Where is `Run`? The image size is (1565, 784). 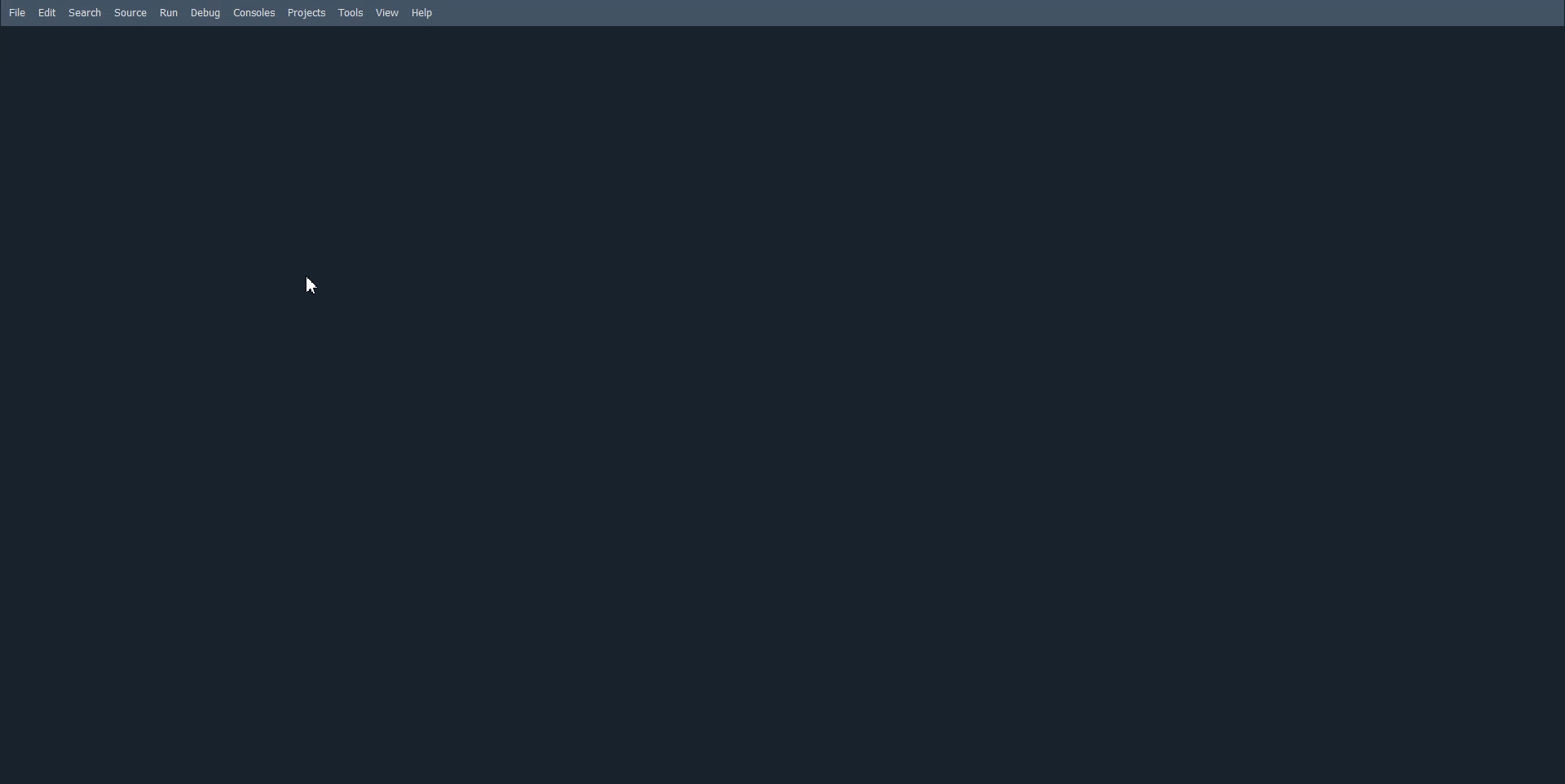 Run is located at coordinates (169, 12).